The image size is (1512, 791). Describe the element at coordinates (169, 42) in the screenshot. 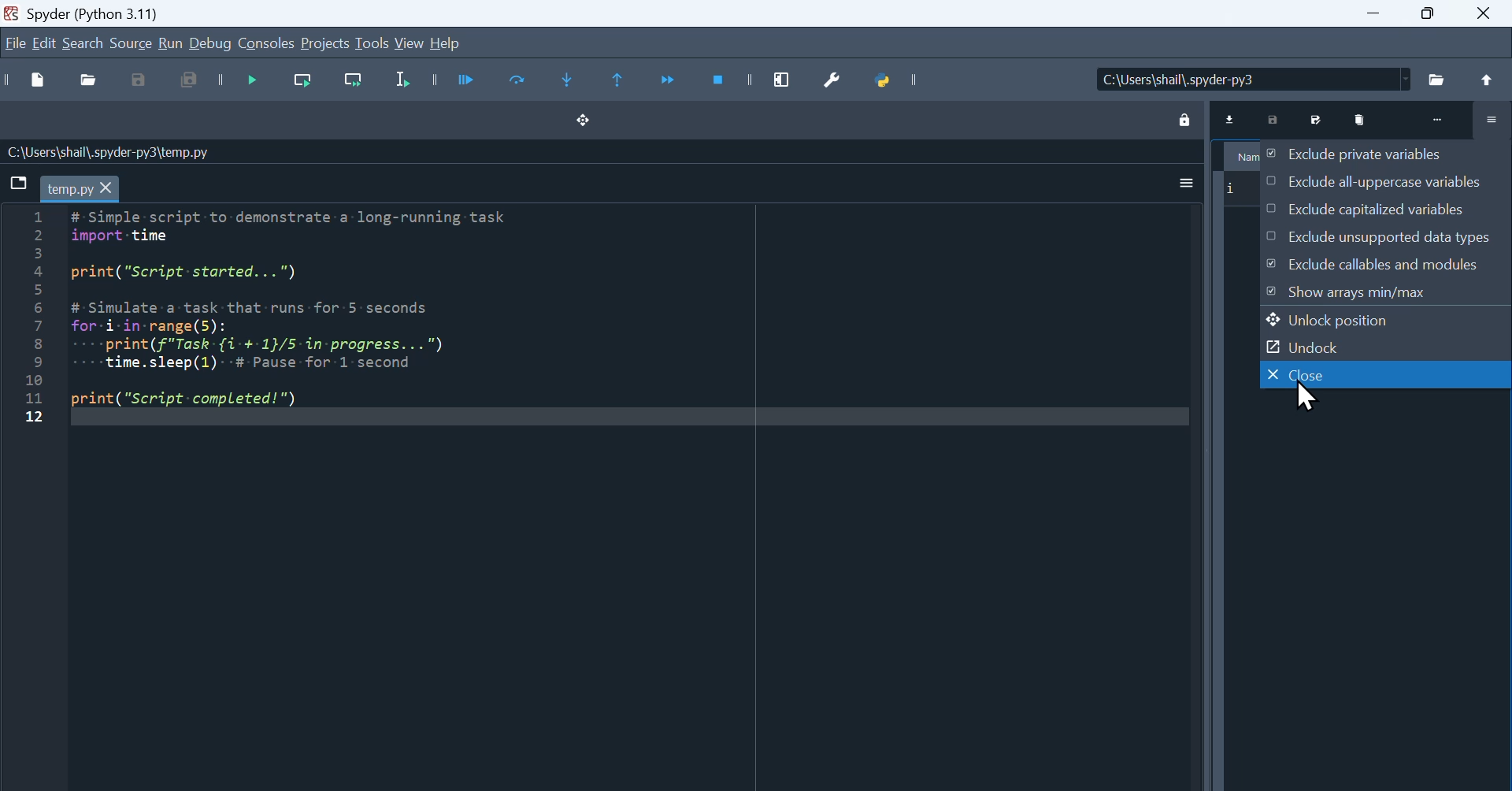

I see `run` at that location.